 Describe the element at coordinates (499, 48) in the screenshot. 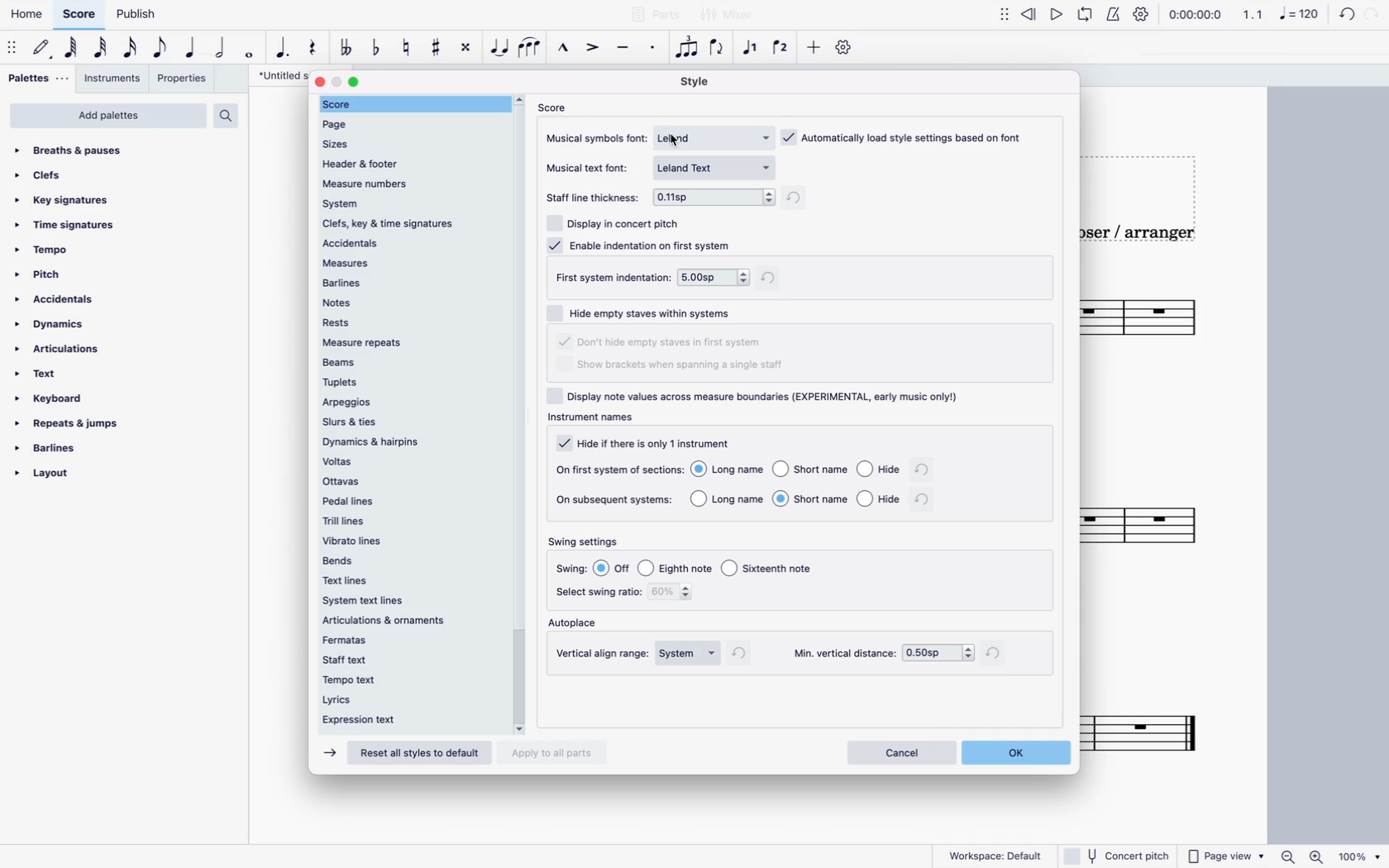

I see `Cursor` at that location.